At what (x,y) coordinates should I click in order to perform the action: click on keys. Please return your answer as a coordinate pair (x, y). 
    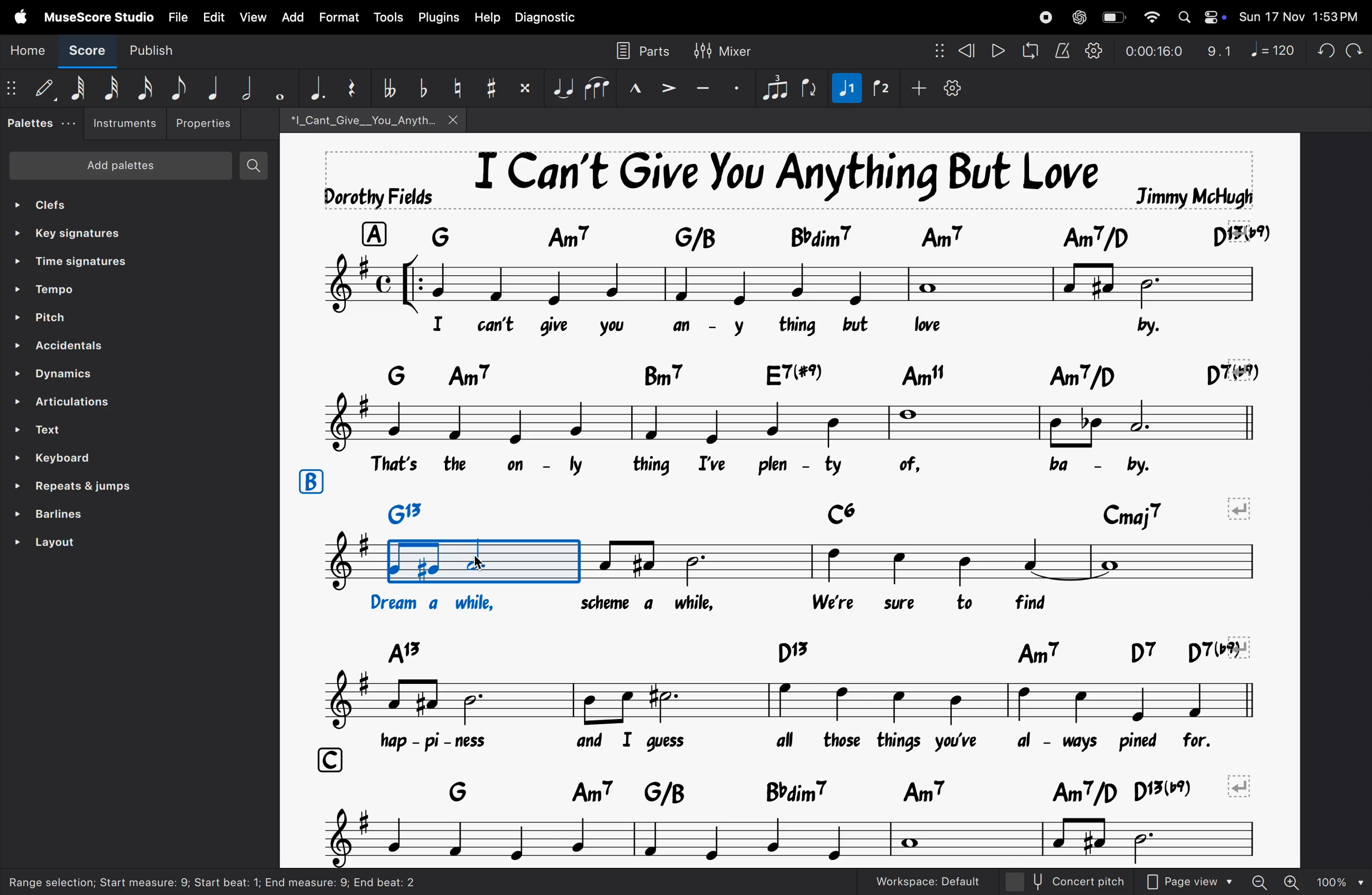
    Looking at the image, I should click on (806, 652).